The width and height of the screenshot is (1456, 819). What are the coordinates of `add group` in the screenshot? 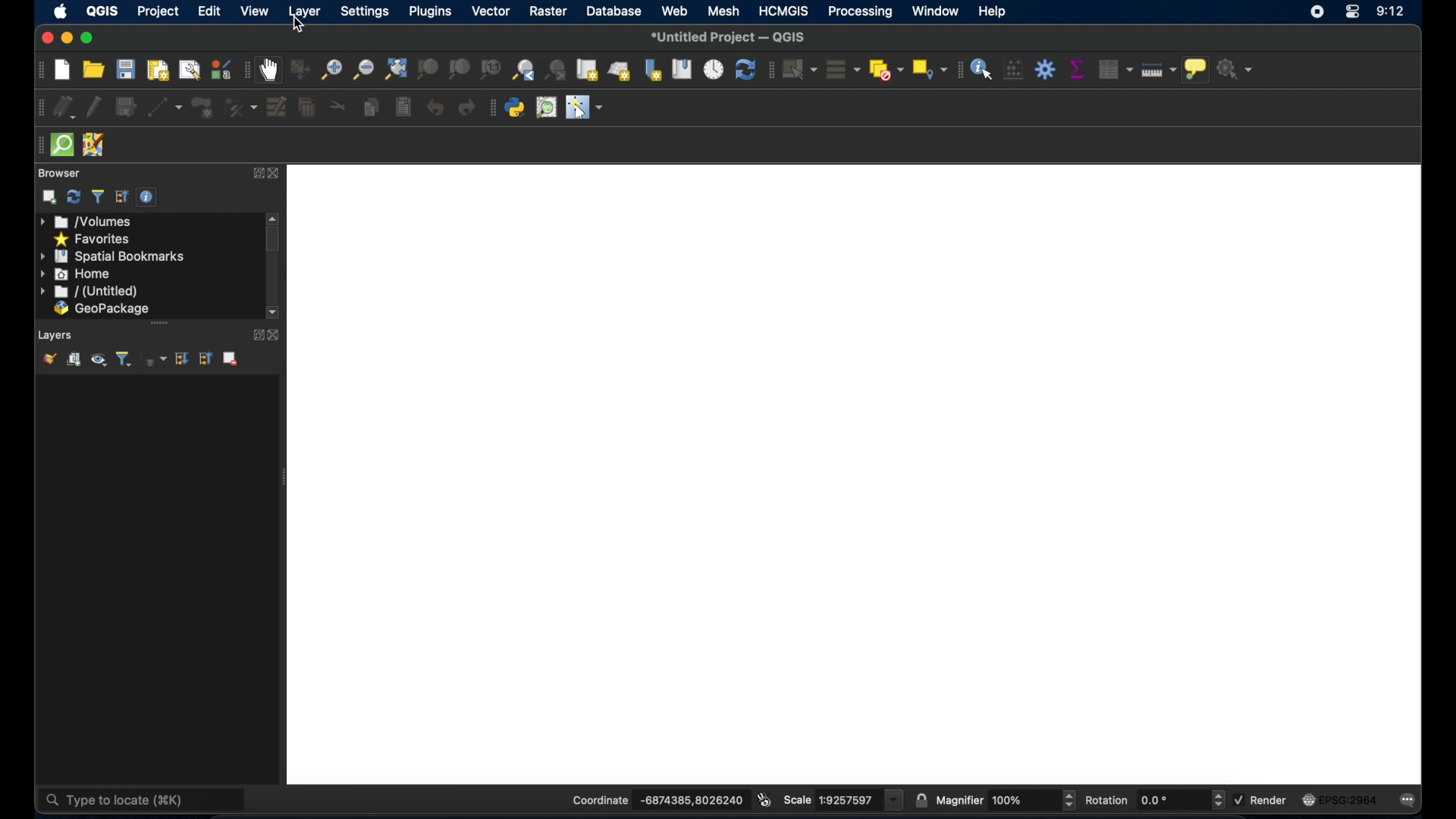 It's located at (74, 360).